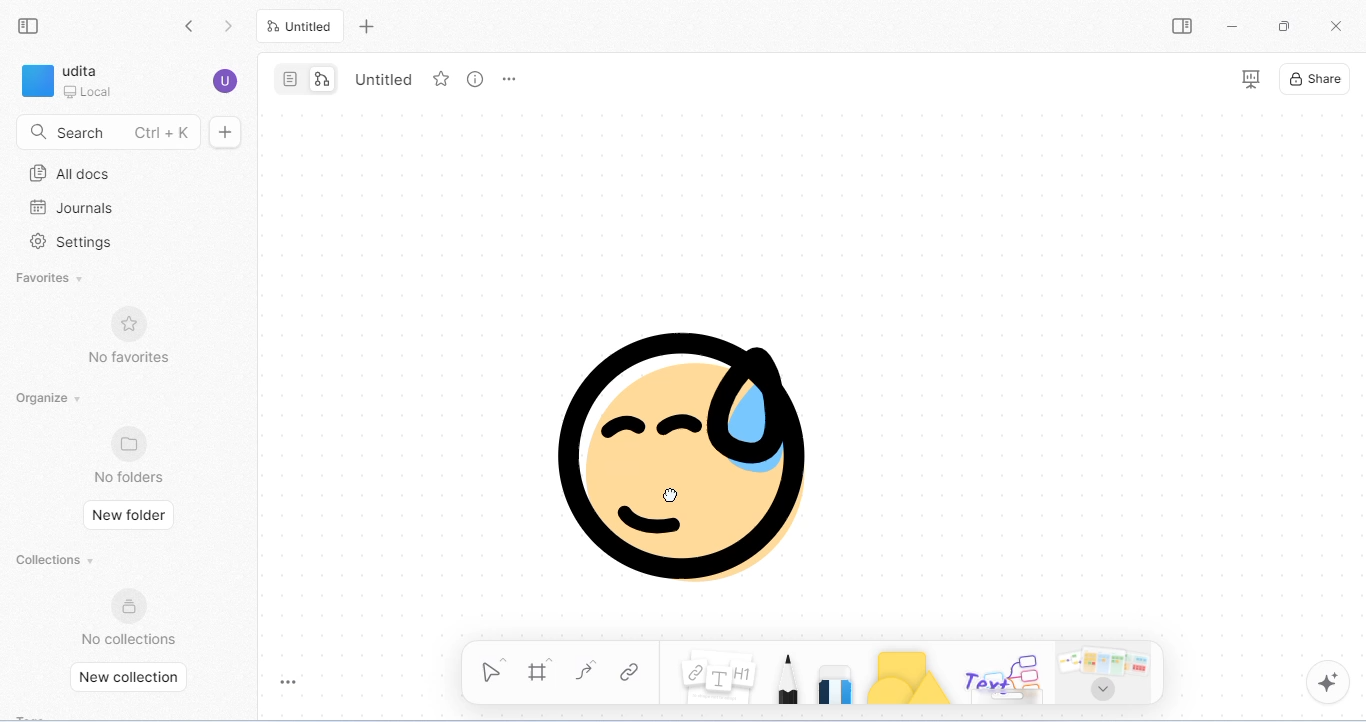  What do you see at coordinates (1283, 25) in the screenshot?
I see `maximize ` at bounding box center [1283, 25].